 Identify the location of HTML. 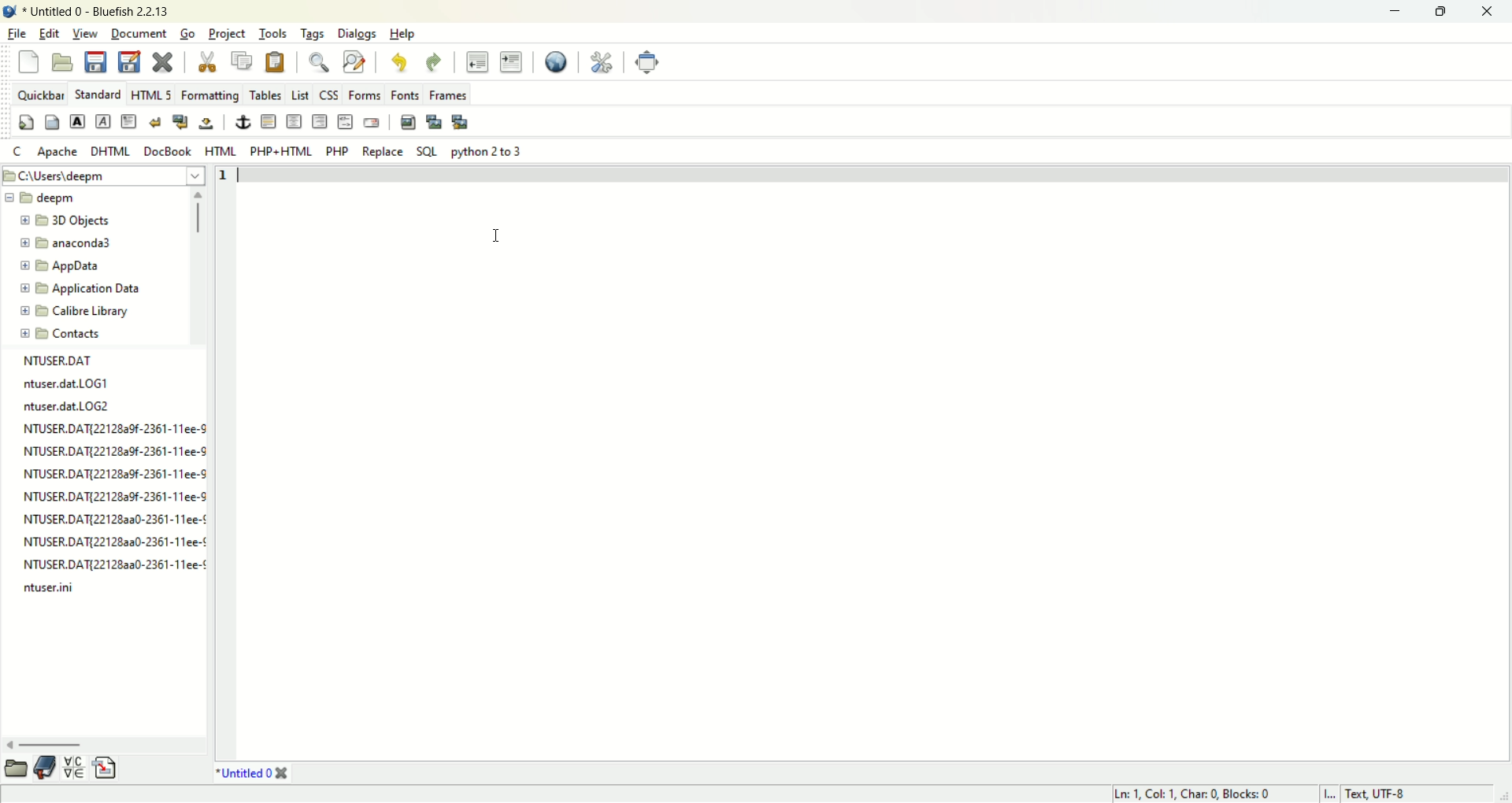
(221, 150).